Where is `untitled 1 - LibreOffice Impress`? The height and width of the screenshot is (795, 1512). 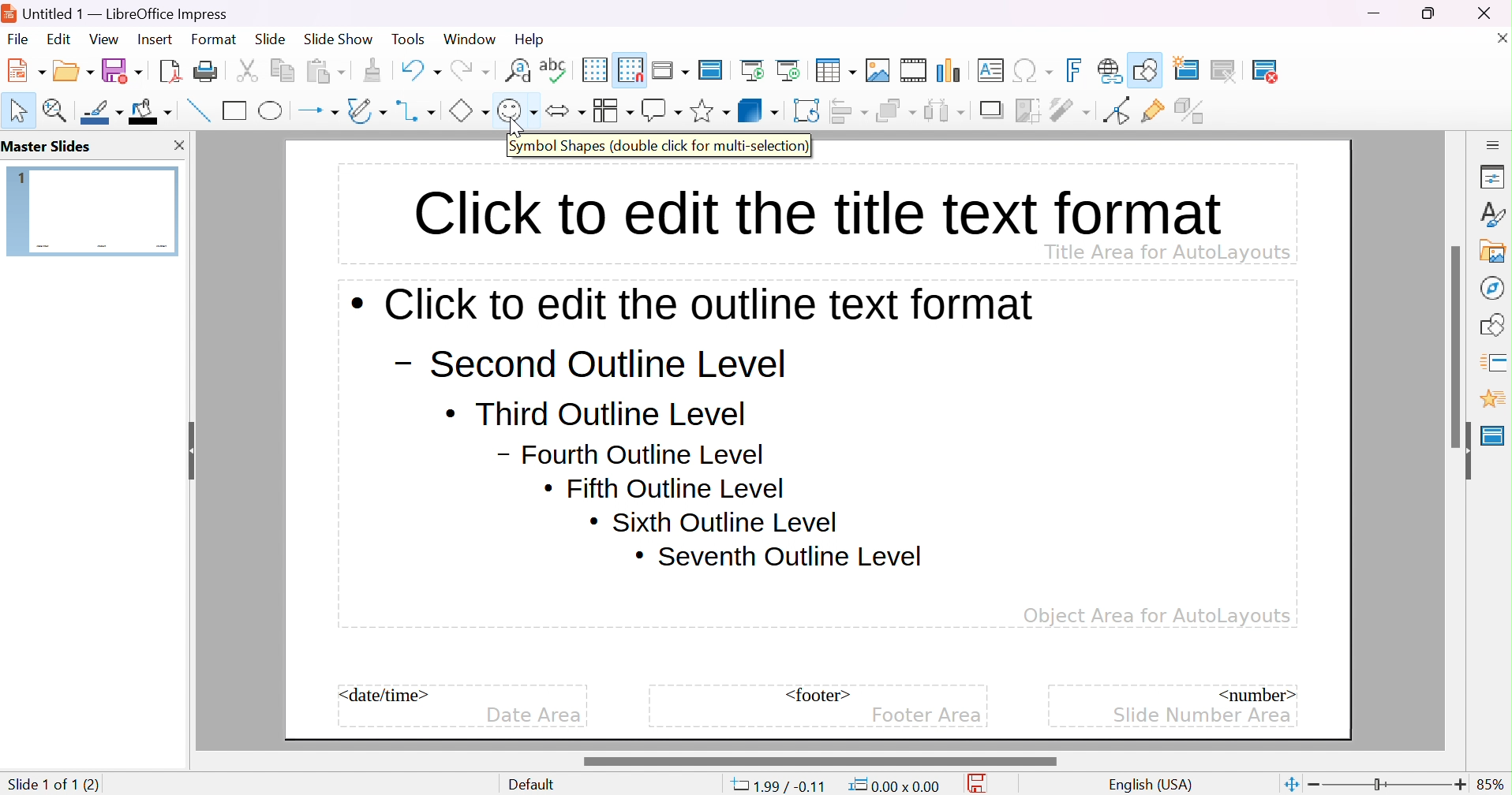 untitled 1 - LibreOffice Impress is located at coordinates (116, 12).